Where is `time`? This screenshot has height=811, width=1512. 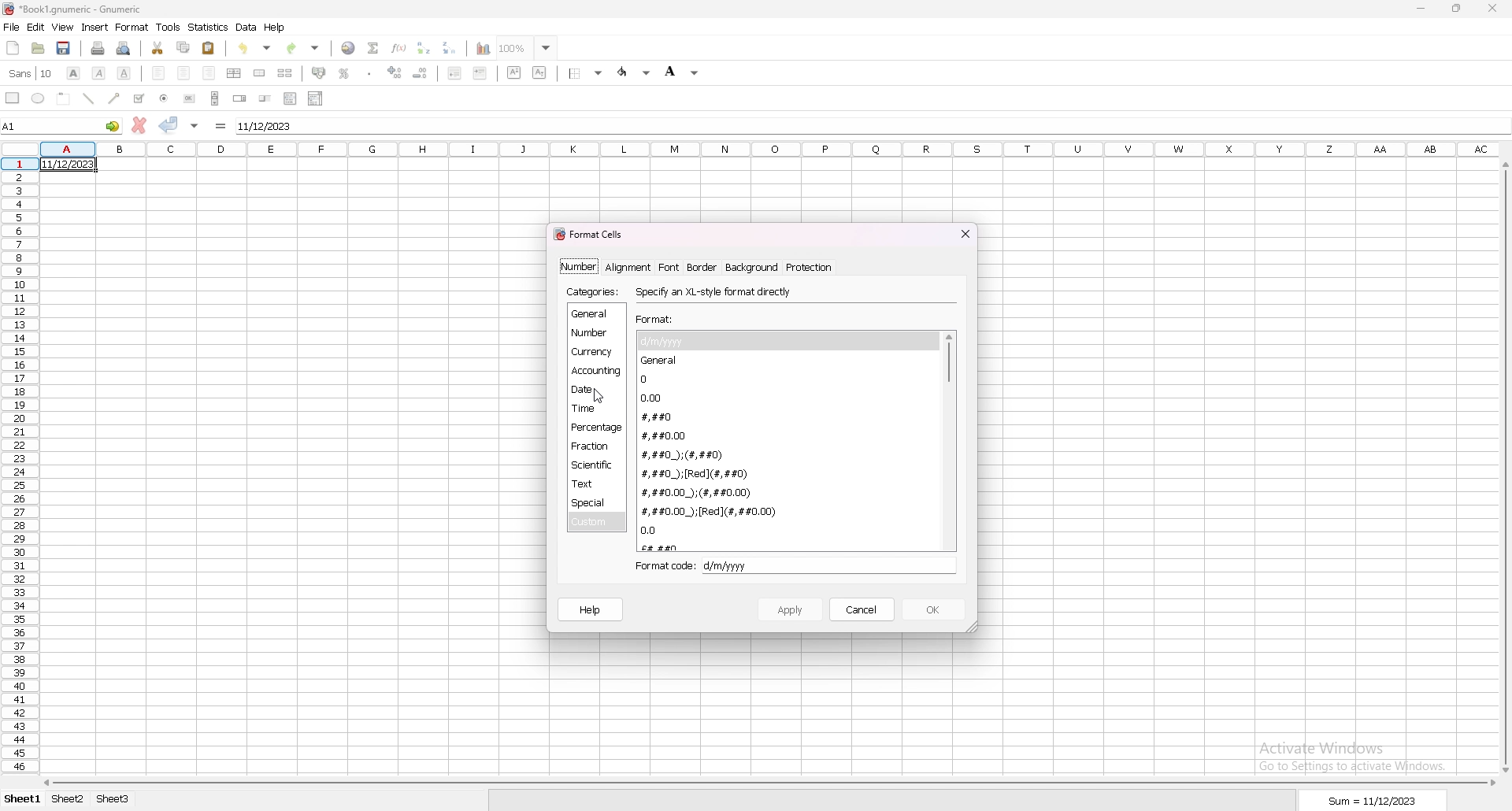 time is located at coordinates (592, 409).